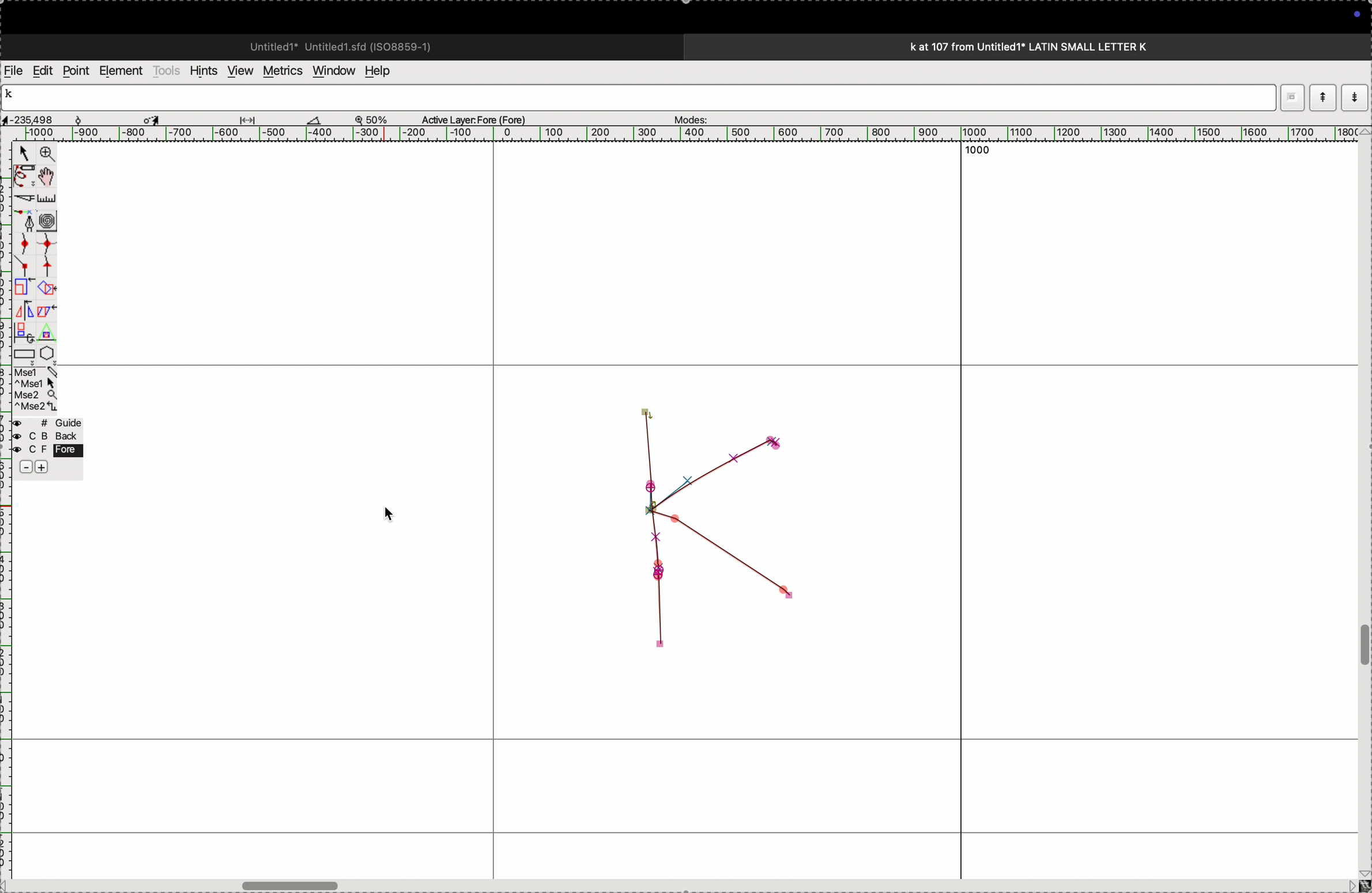 This screenshot has height=893, width=1372. I want to click on active kayer, so click(481, 119).